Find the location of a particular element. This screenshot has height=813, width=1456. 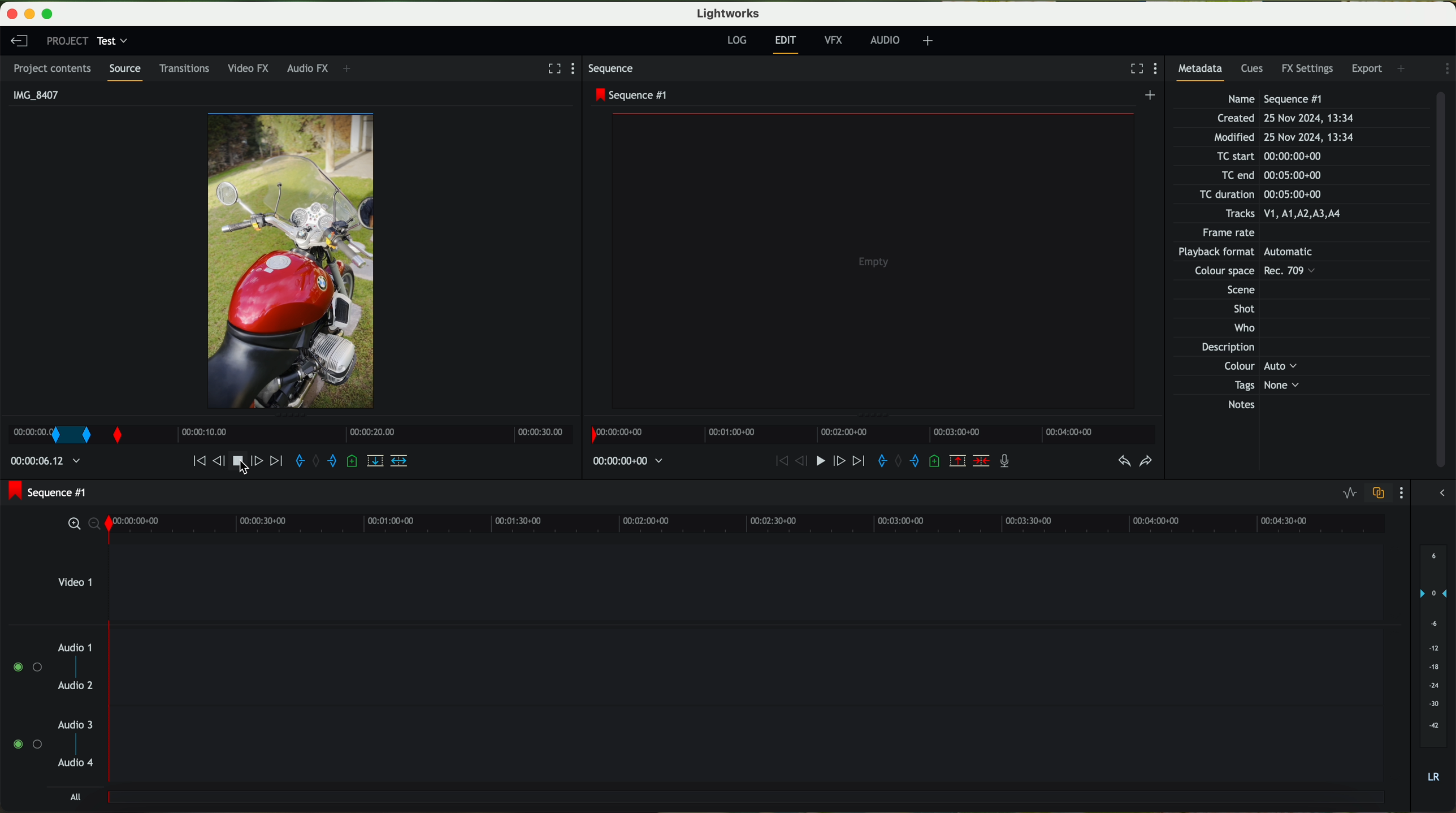

move backward is located at coordinates (774, 461).